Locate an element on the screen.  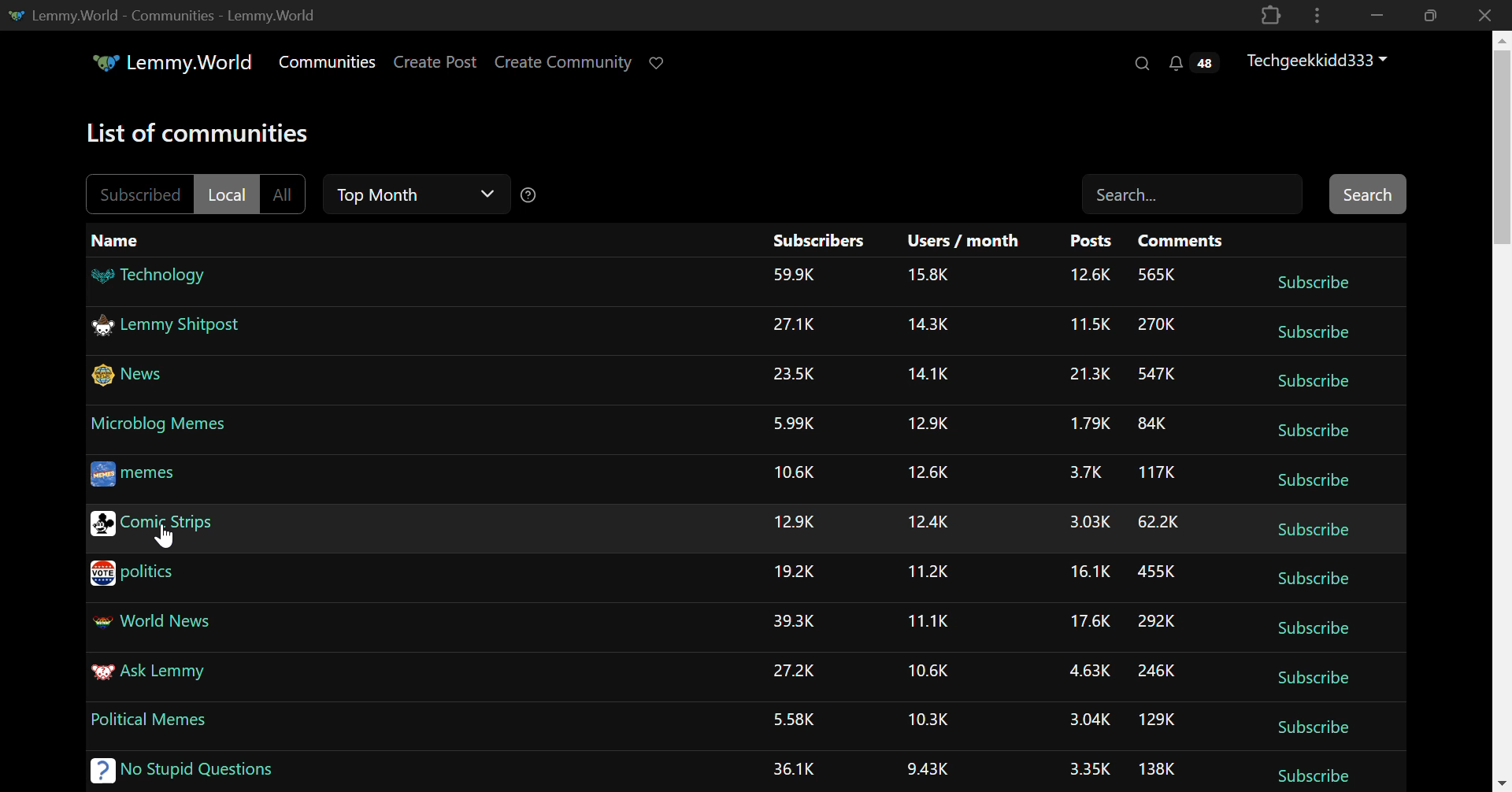
Technology is located at coordinates (150, 276).